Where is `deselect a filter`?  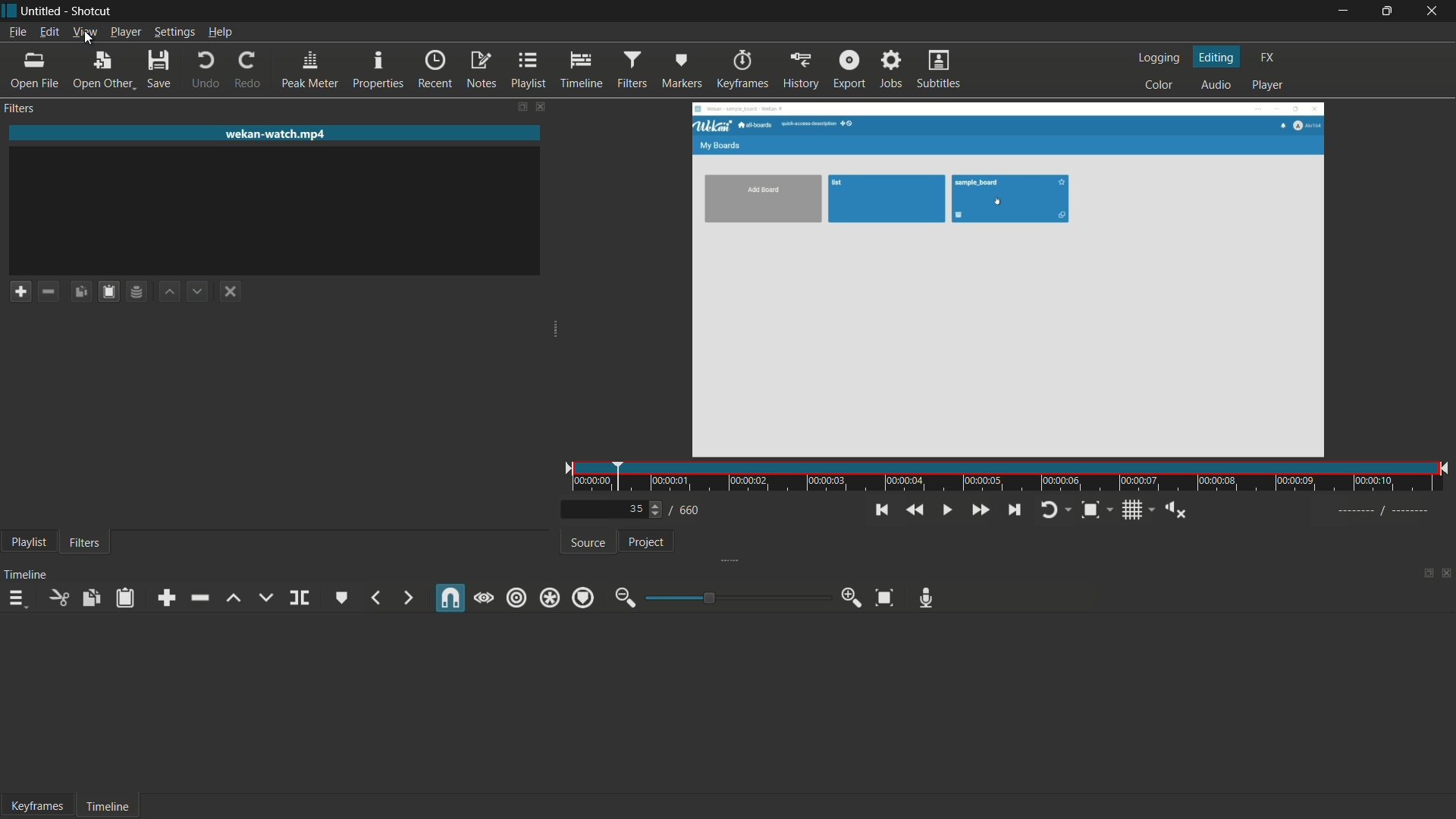
deselect a filter is located at coordinates (229, 291).